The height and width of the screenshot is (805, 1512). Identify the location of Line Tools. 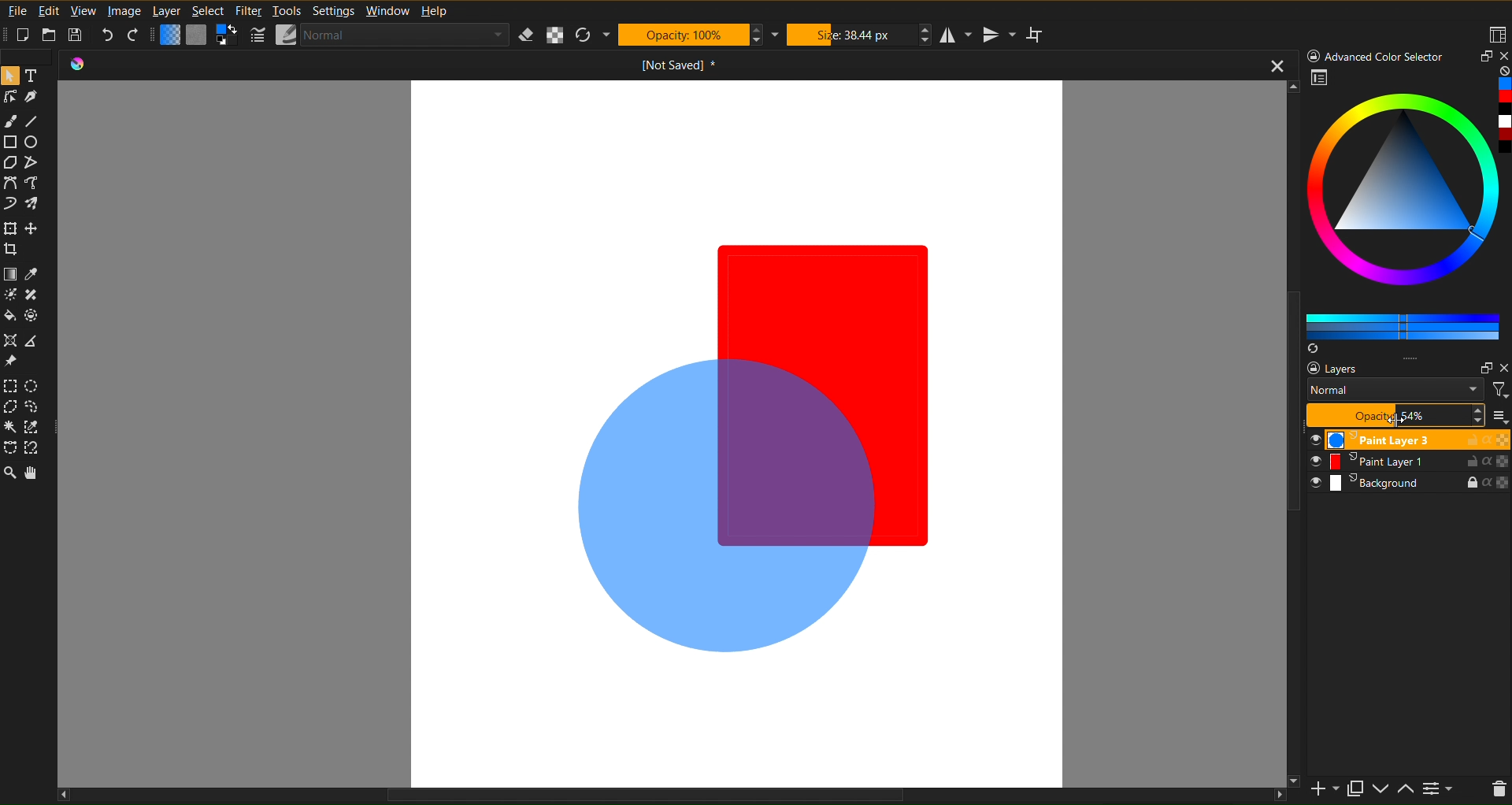
(28, 97).